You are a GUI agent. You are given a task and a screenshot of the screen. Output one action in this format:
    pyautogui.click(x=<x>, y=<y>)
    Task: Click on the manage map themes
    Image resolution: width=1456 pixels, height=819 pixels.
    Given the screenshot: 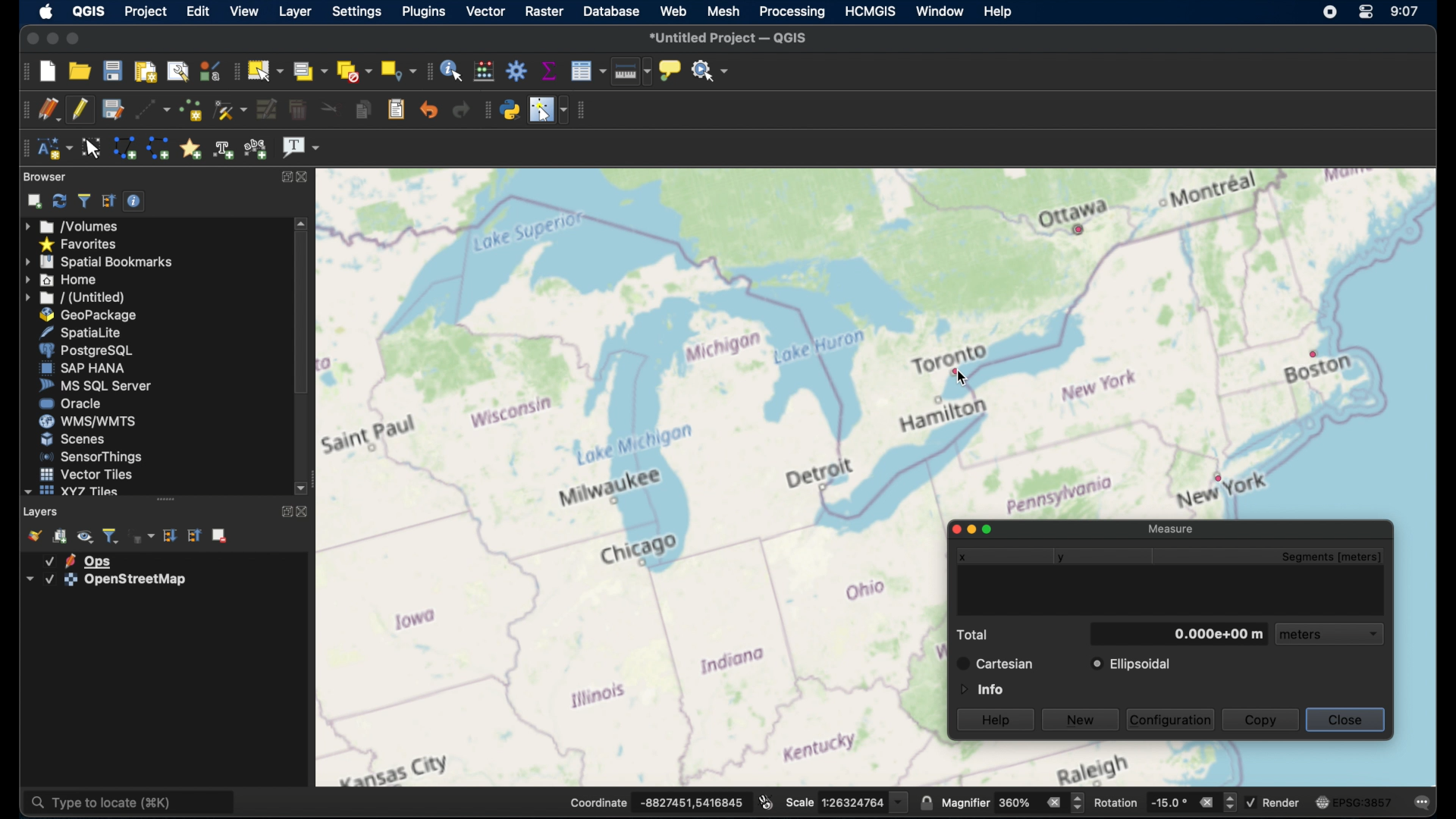 What is the action you would take?
    pyautogui.click(x=85, y=536)
    